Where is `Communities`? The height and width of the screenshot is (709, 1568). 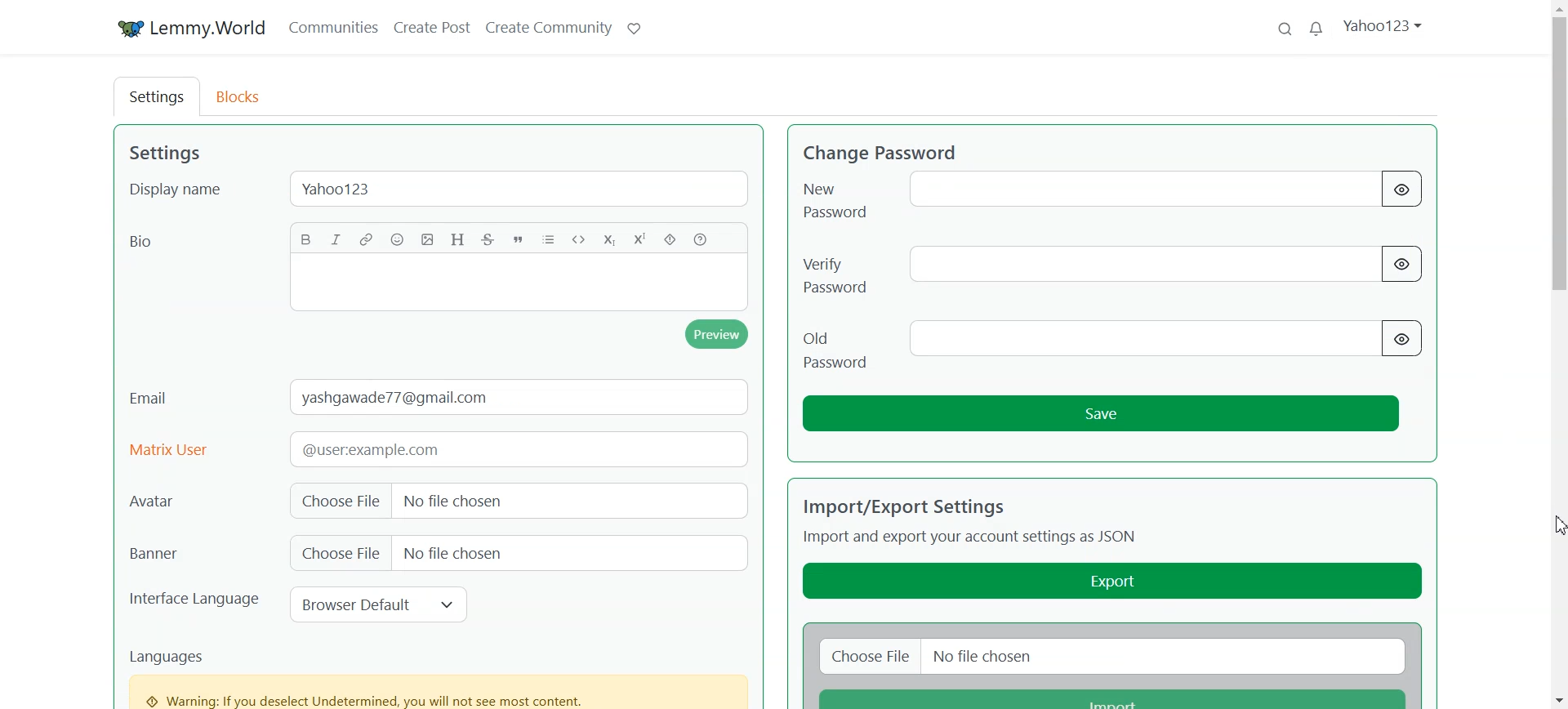
Communities is located at coordinates (332, 26).